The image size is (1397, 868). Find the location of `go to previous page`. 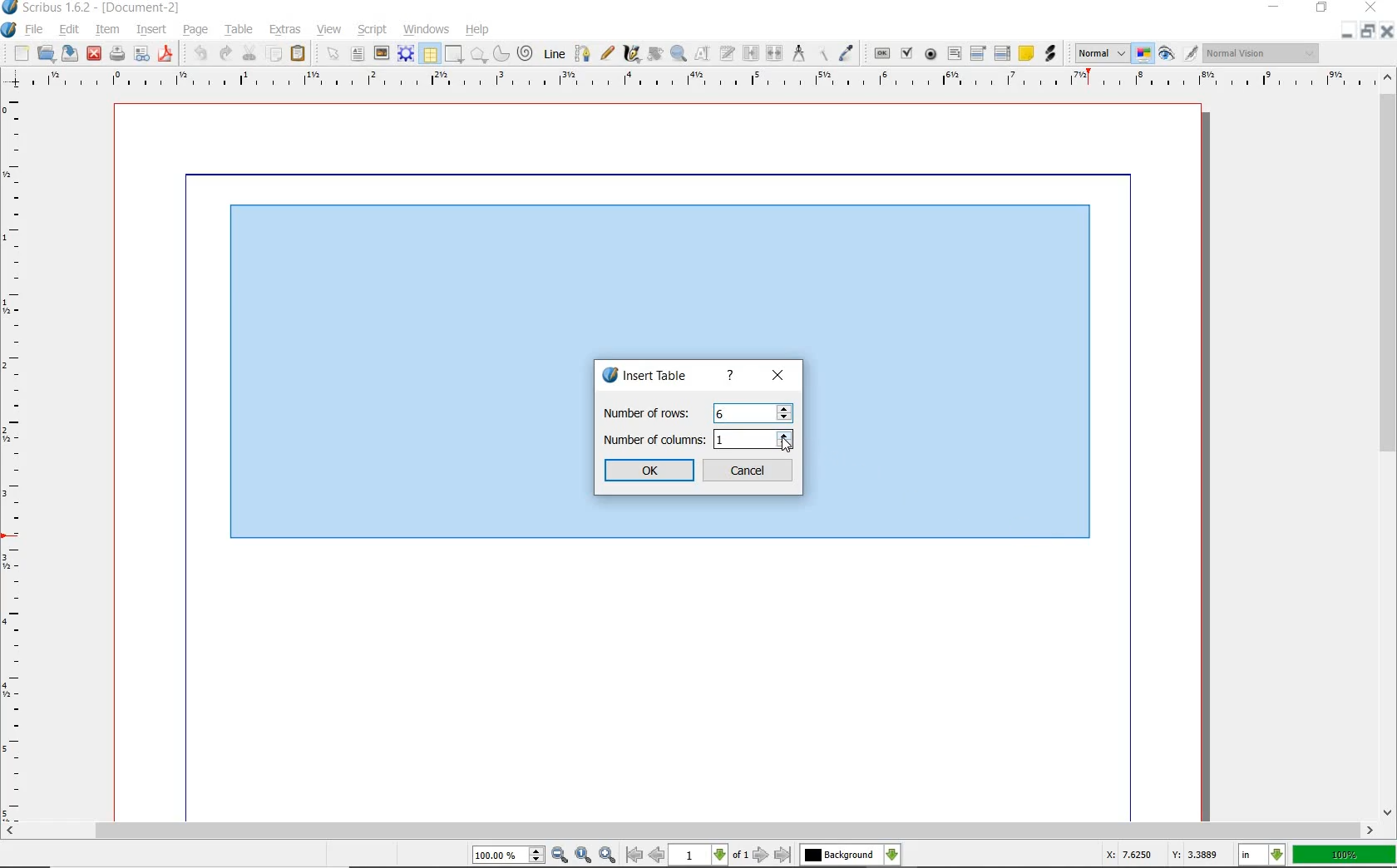

go to previous page is located at coordinates (658, 856).